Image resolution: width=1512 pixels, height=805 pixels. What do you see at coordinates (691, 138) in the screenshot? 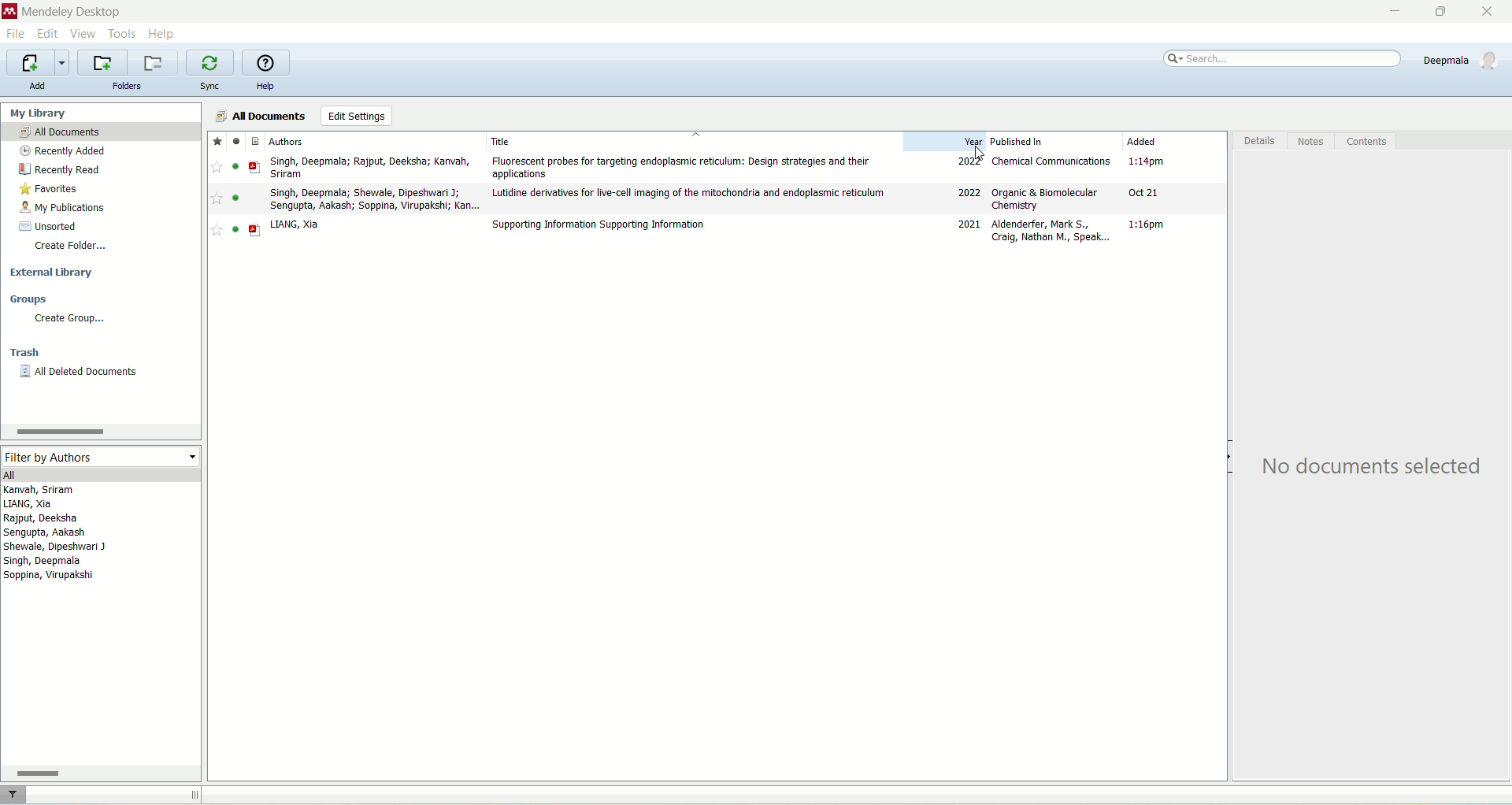
I see `title` at bounding box center [691, 138].